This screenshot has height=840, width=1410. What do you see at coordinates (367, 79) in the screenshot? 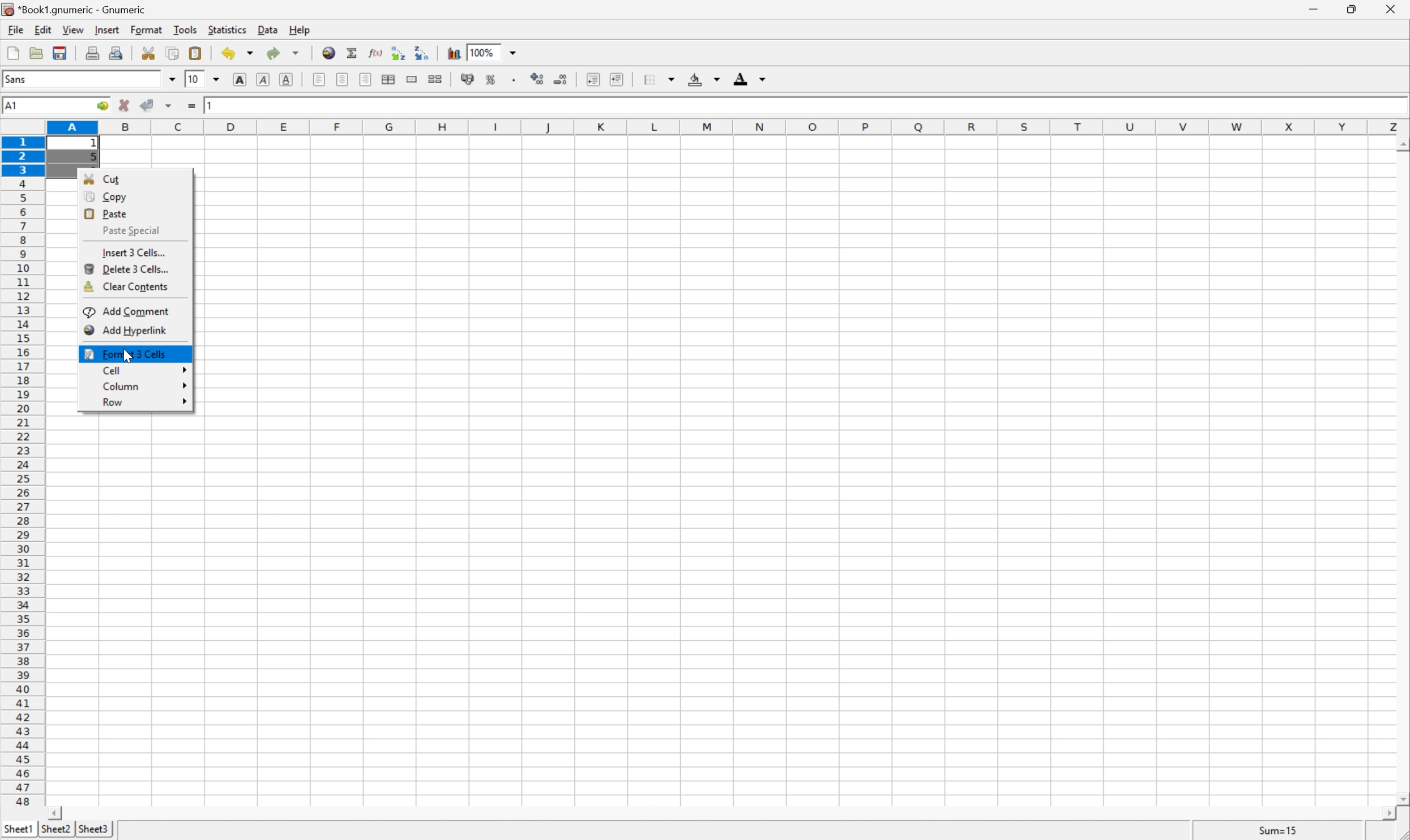
I see `align right` at bounding box center [367, 79].